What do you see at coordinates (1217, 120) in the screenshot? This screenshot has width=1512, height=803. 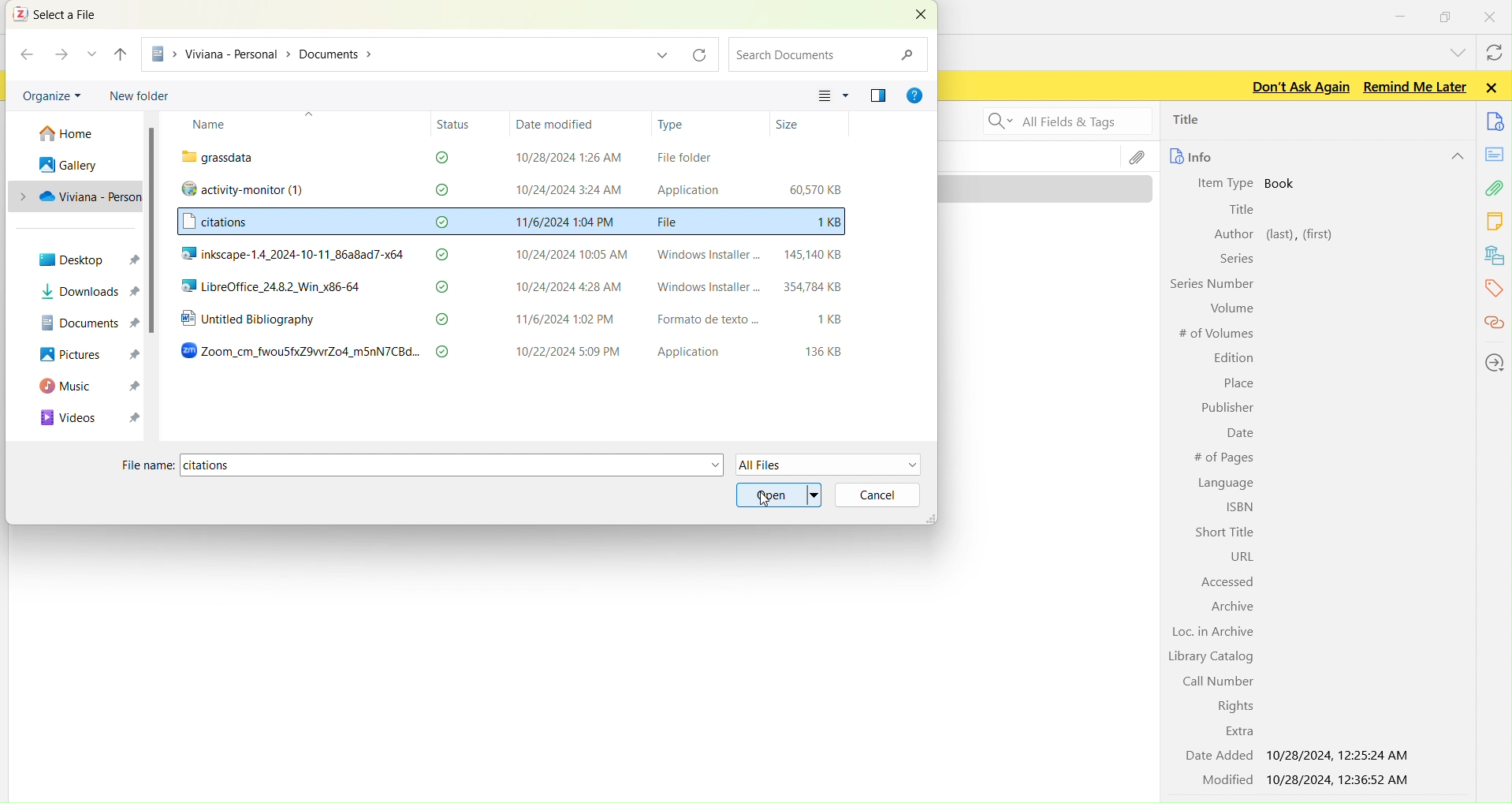 I see `title` at bounding box center [1217, 120].